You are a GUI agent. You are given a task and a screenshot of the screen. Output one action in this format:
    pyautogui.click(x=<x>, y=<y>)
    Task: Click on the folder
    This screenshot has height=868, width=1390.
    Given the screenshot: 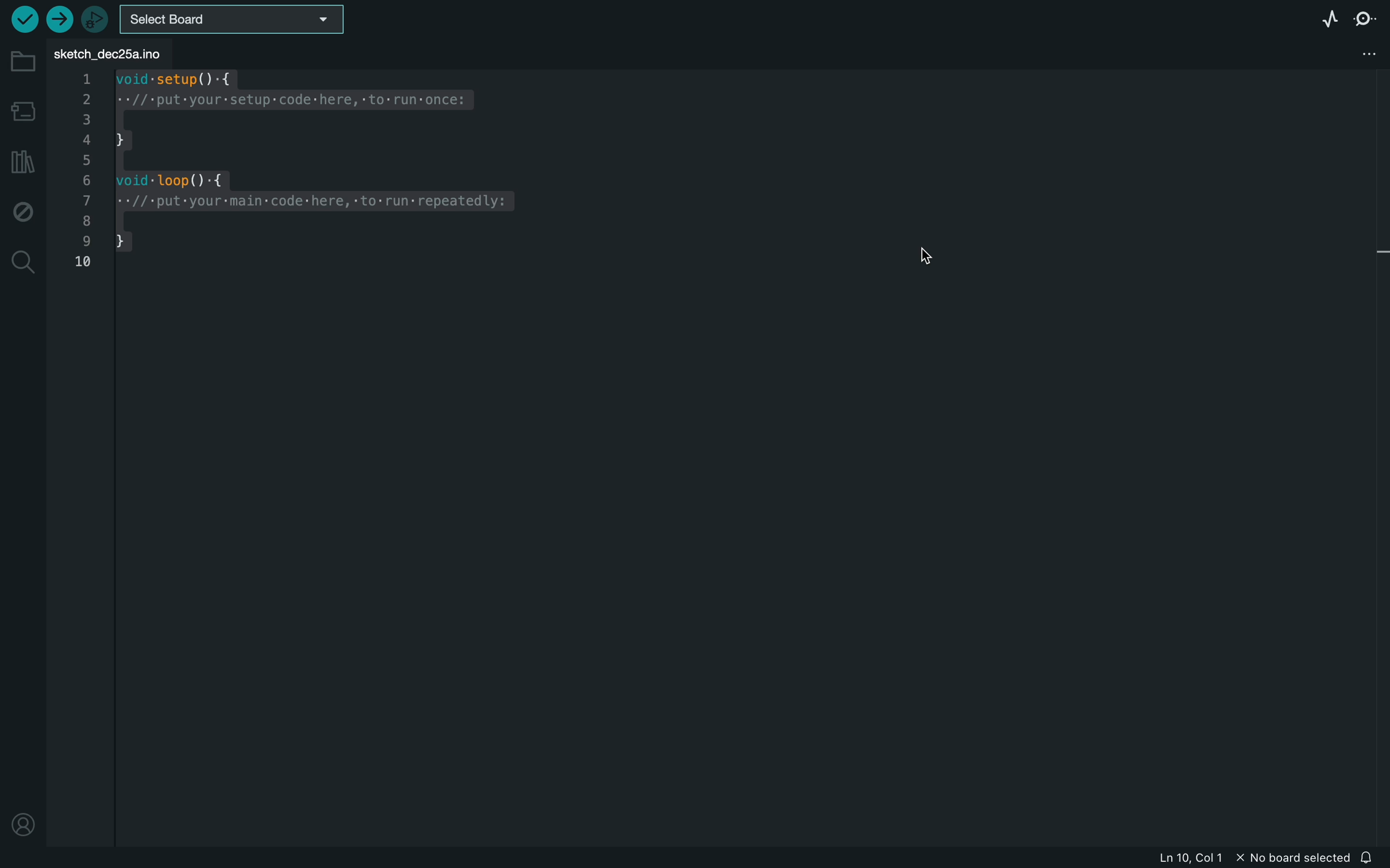 What is the action you would take?
    pyautogui.click(x=23, y=61)
    